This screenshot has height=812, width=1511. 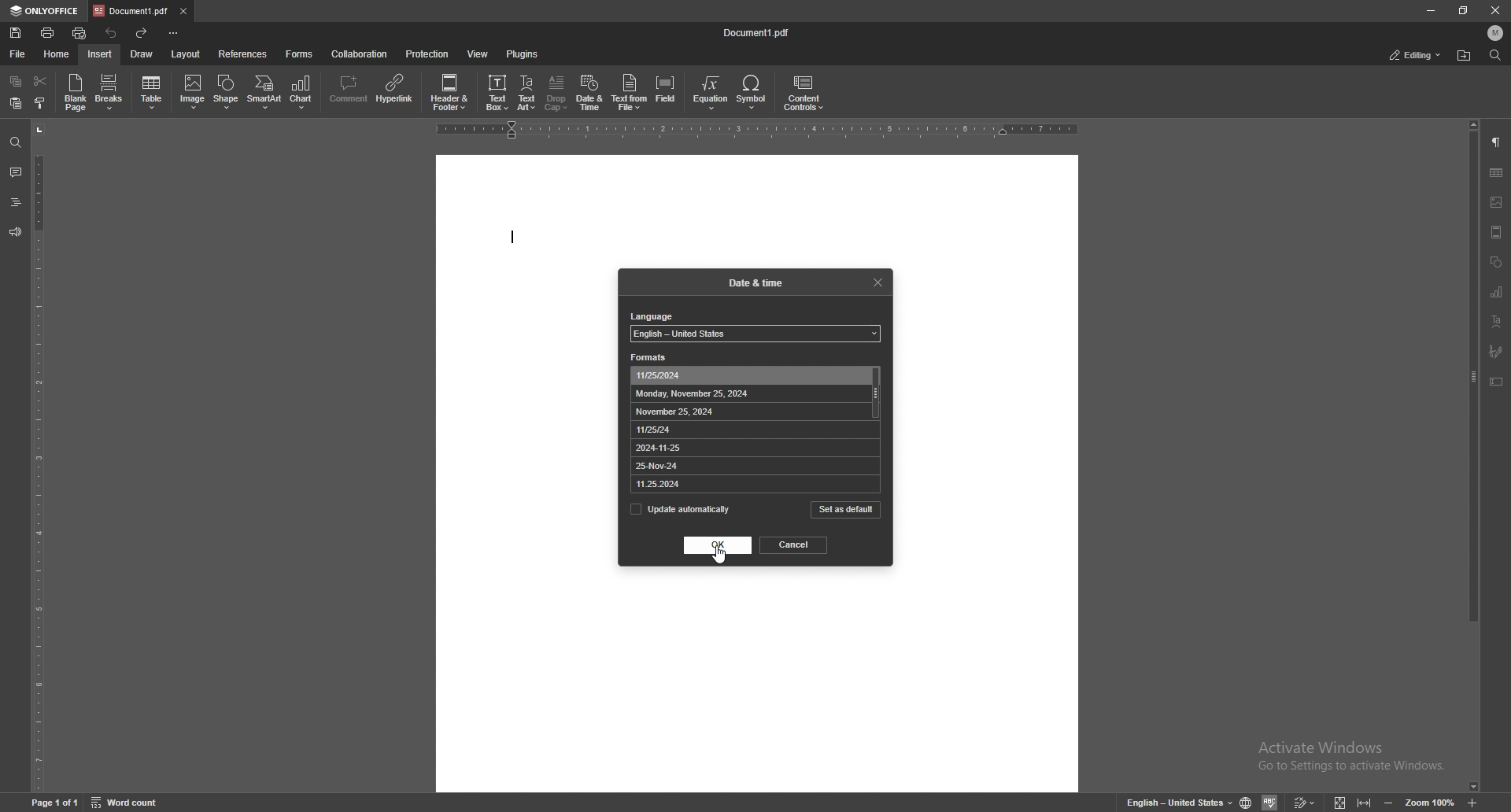 I want to click on print, so click(x=47, y=33).